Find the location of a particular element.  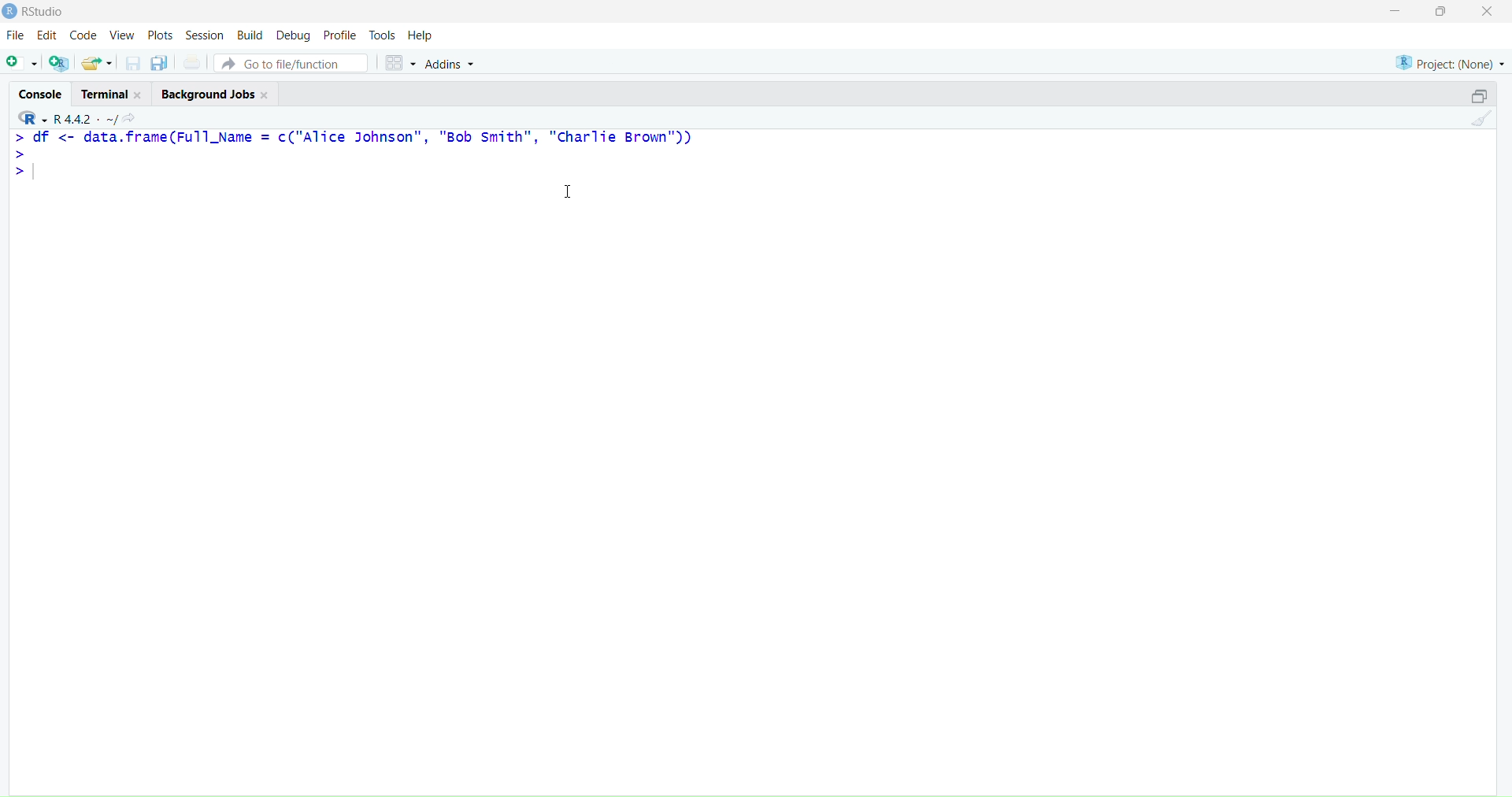

ar <- data.trame(rull_Name = c( Alice Johnson , "Bob smith, ~Chariie 8rown )) is located at coordinates (353, 138).